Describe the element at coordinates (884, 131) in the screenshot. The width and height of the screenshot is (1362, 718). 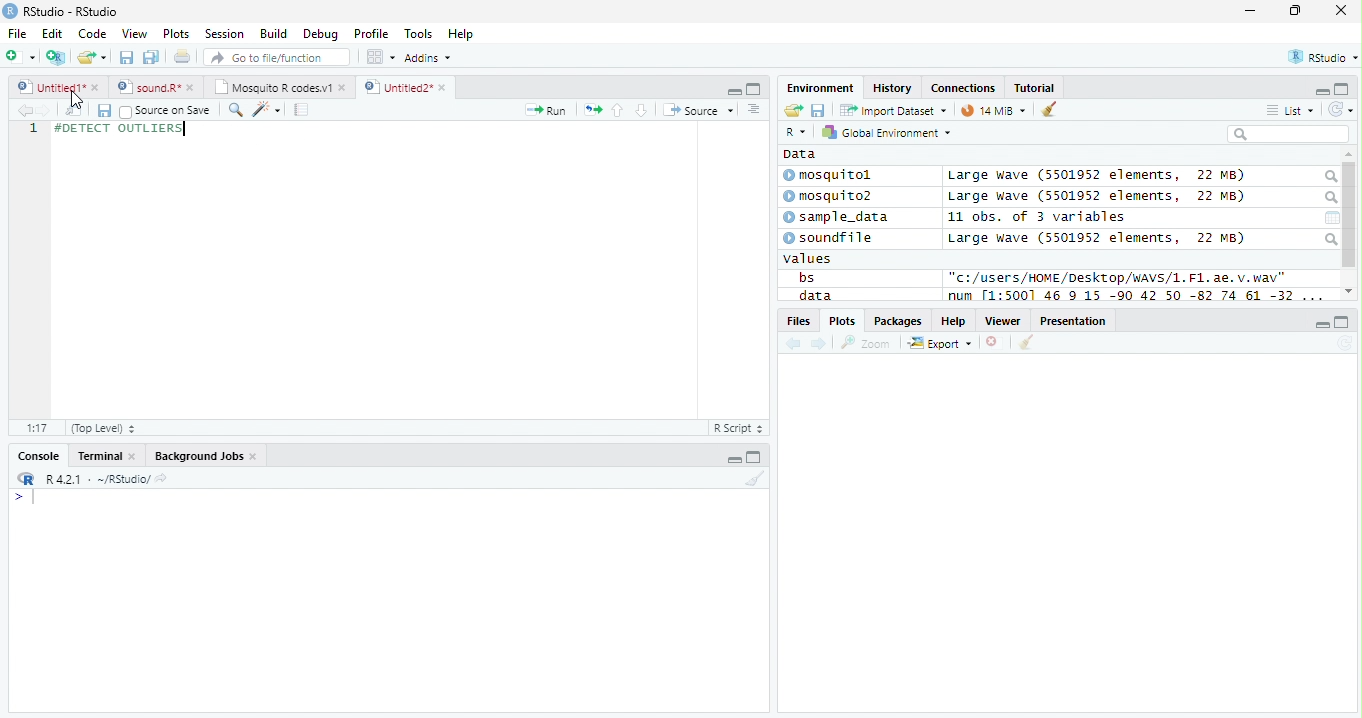
I see `Global Environment` at that location.